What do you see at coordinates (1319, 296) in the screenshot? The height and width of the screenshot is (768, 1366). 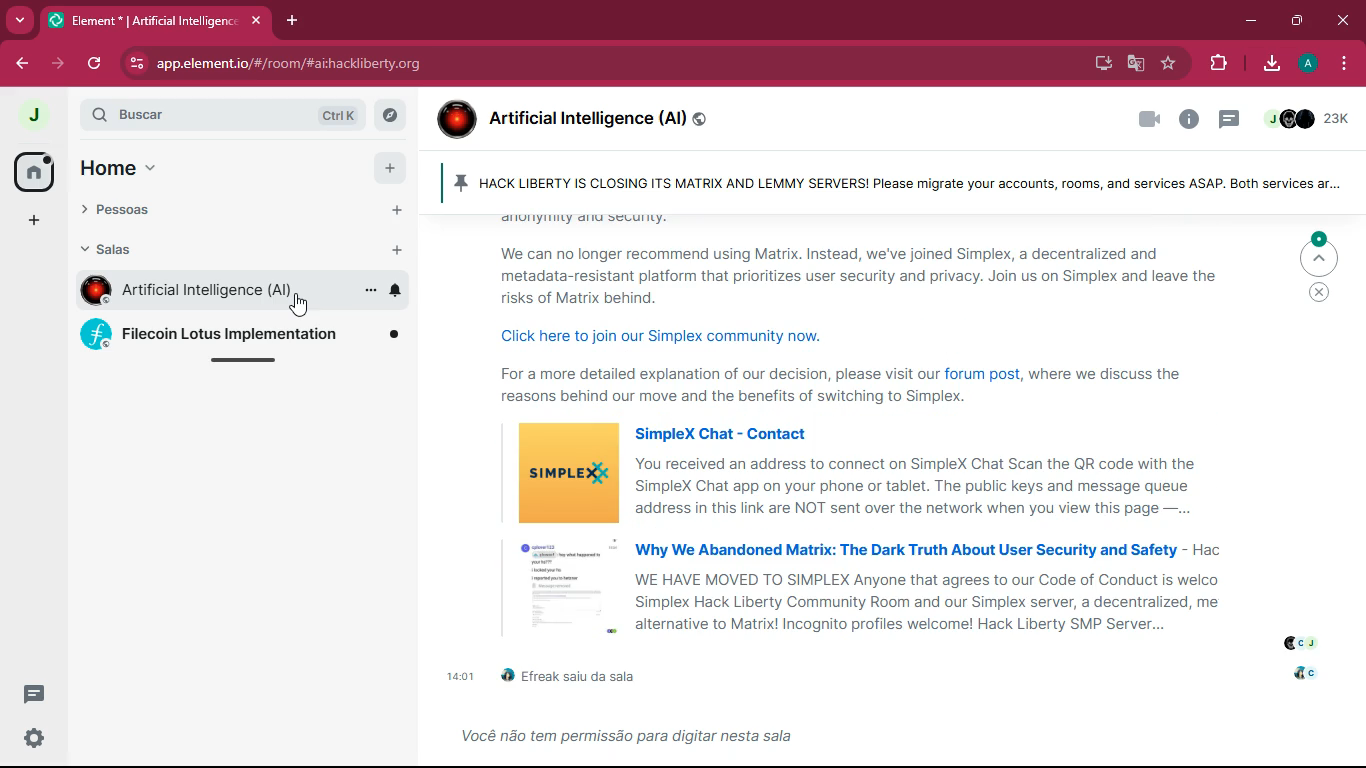 I see `cancel` at bounding box center [1319, 296].